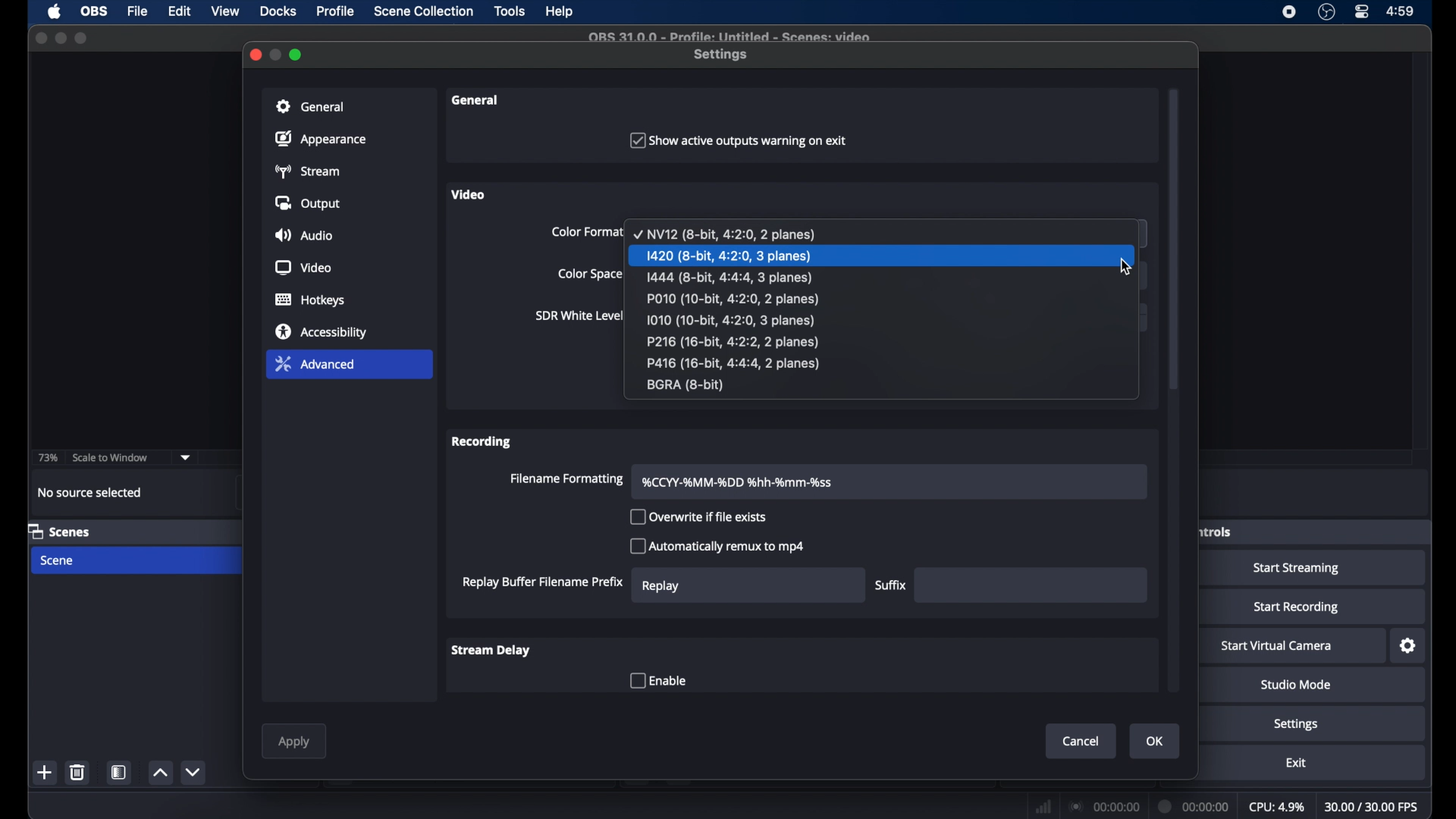 The height and width of the screenshot is (819, 1456). What do you see at coordinates (1278, 808) in the screenshot?
I see `cpu: 4.9%` at bounding box center [1278, 808].